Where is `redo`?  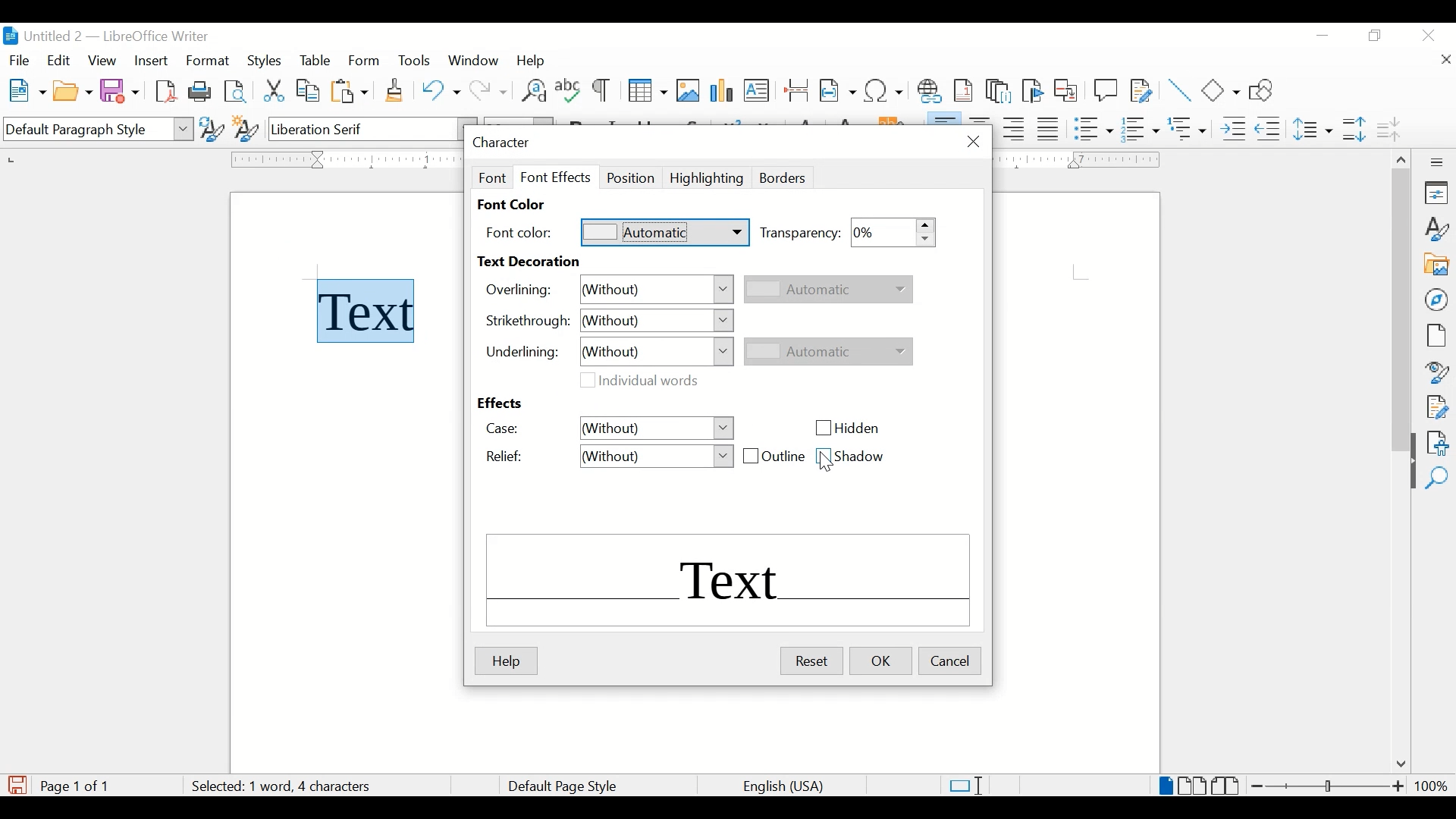 redo is located at coordinates (489, 91).